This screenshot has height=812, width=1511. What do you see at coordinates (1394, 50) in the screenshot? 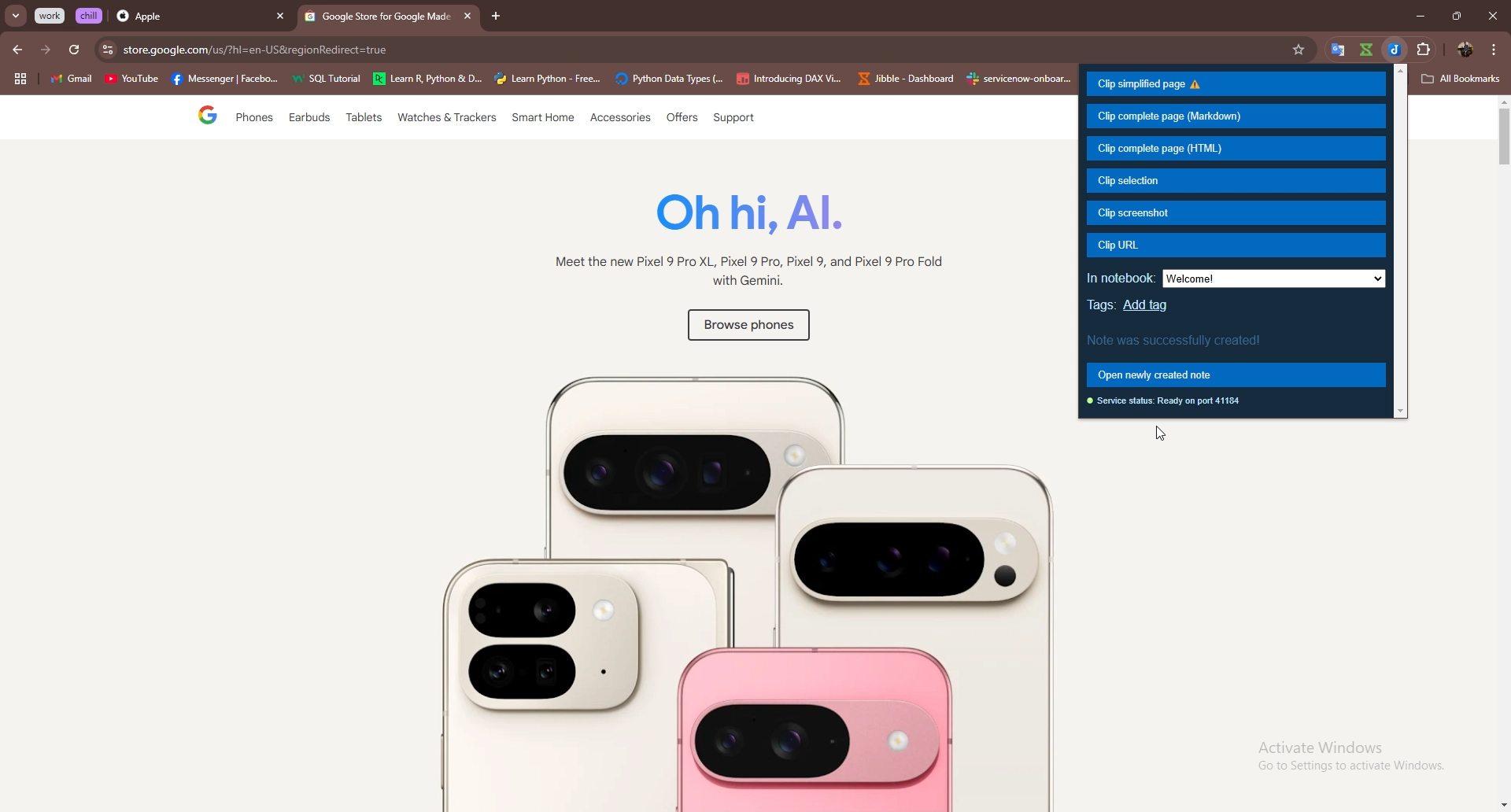
I see `jibble ` at bounding box center [1394, 50].